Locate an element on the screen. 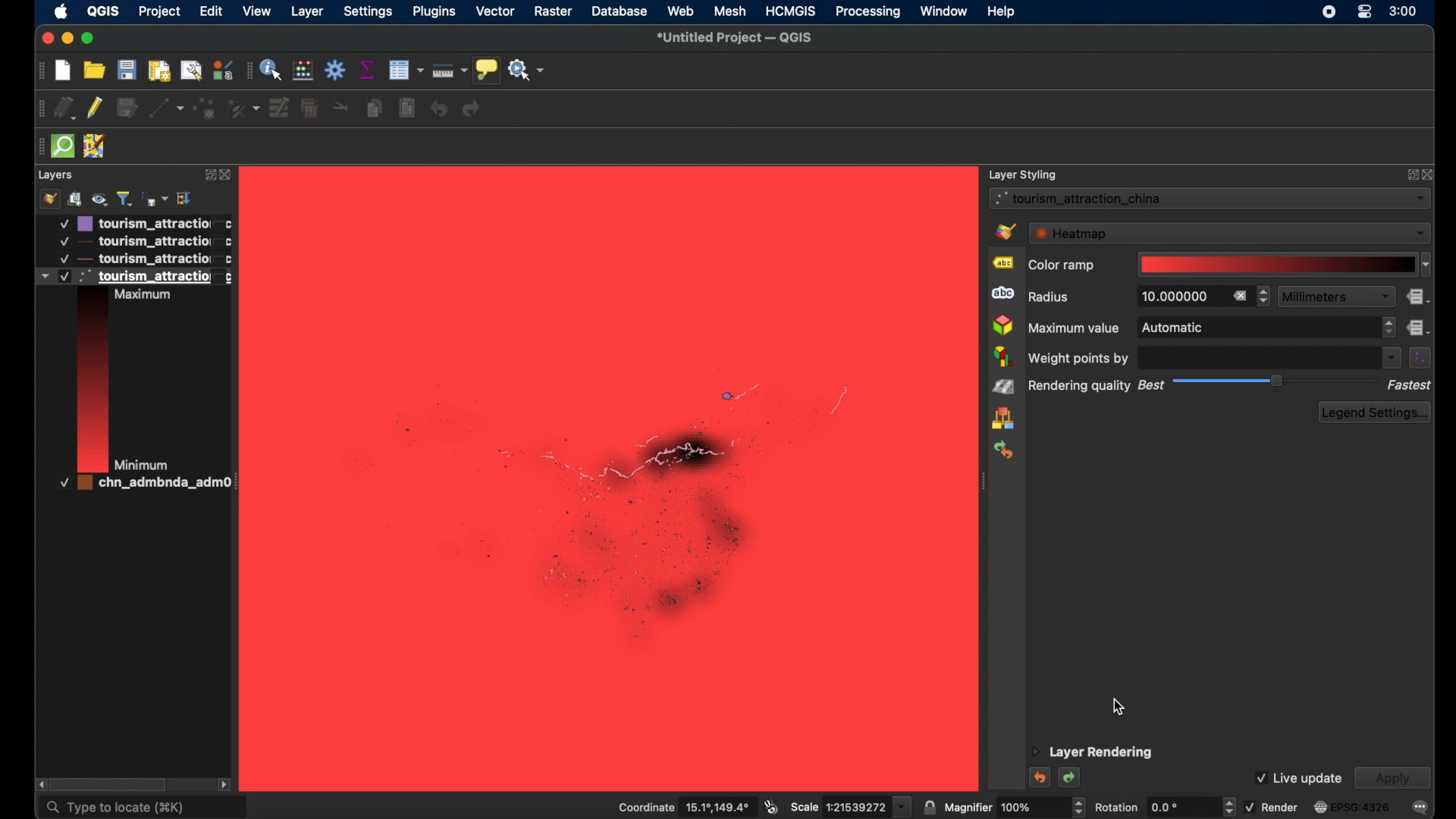 The image size is (1456, 819). styling manager is located at coordinates (221, 71).